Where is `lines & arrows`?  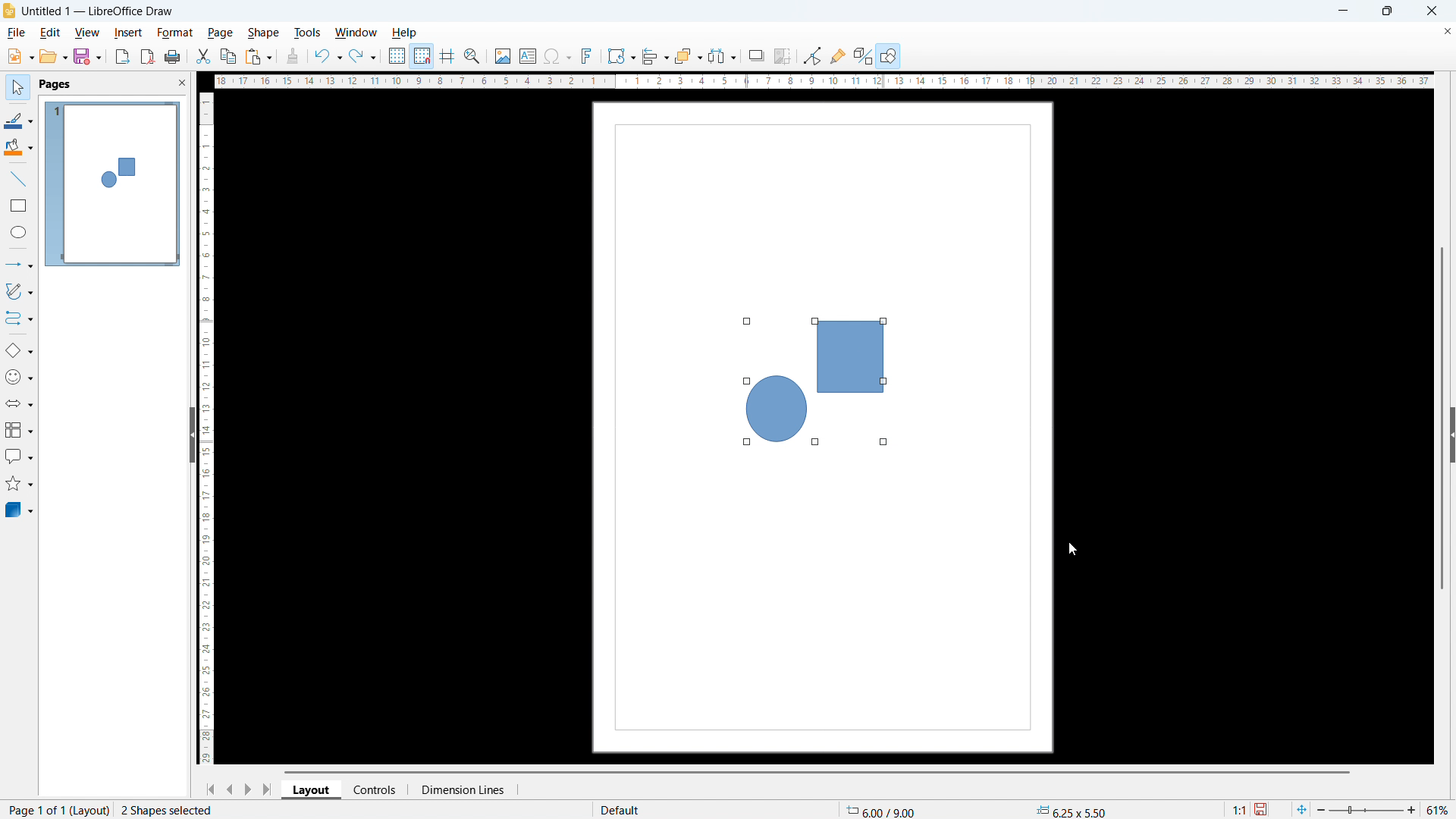 lines & arrows is located at coordinates (22, 265).